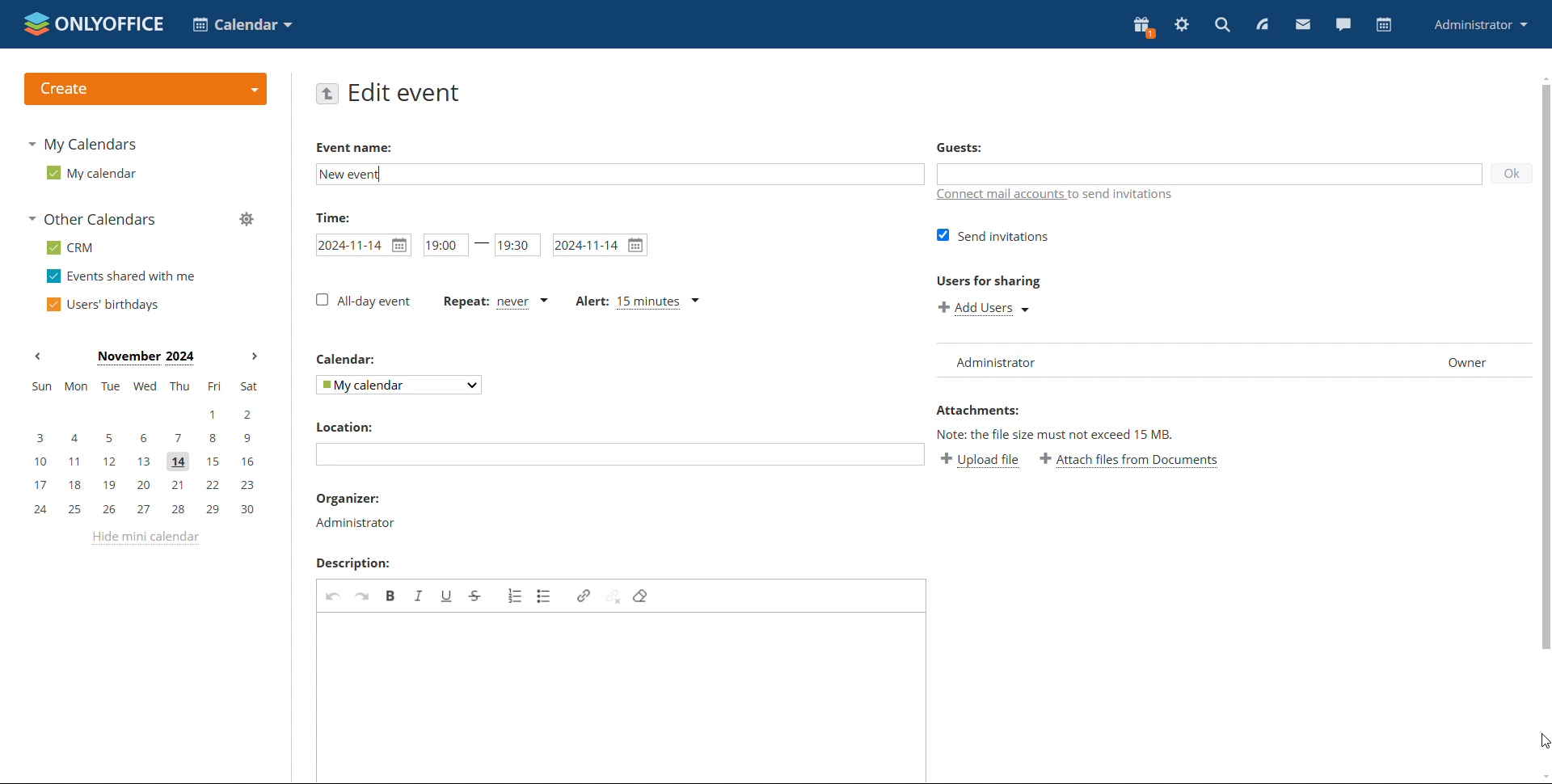 Image resolution: width=1552 pixels, height=784 pixels. Describe the element at coordinates (1130, 462) in the screenshot. I see `attach files from documents` at that location.